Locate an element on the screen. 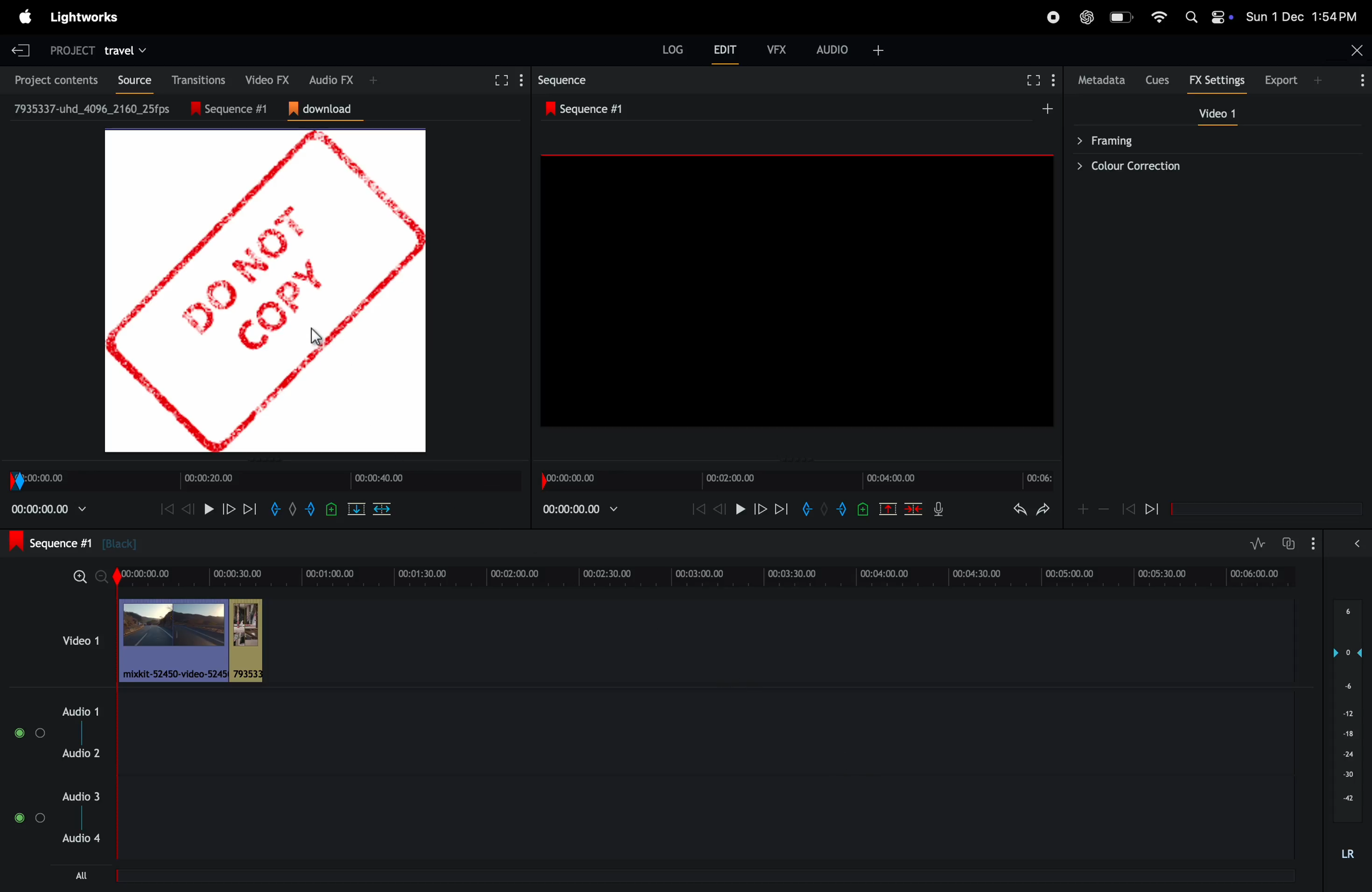 The width and height of the screenshot is (1372, 892). expand is located at coordinates (1357, 543).